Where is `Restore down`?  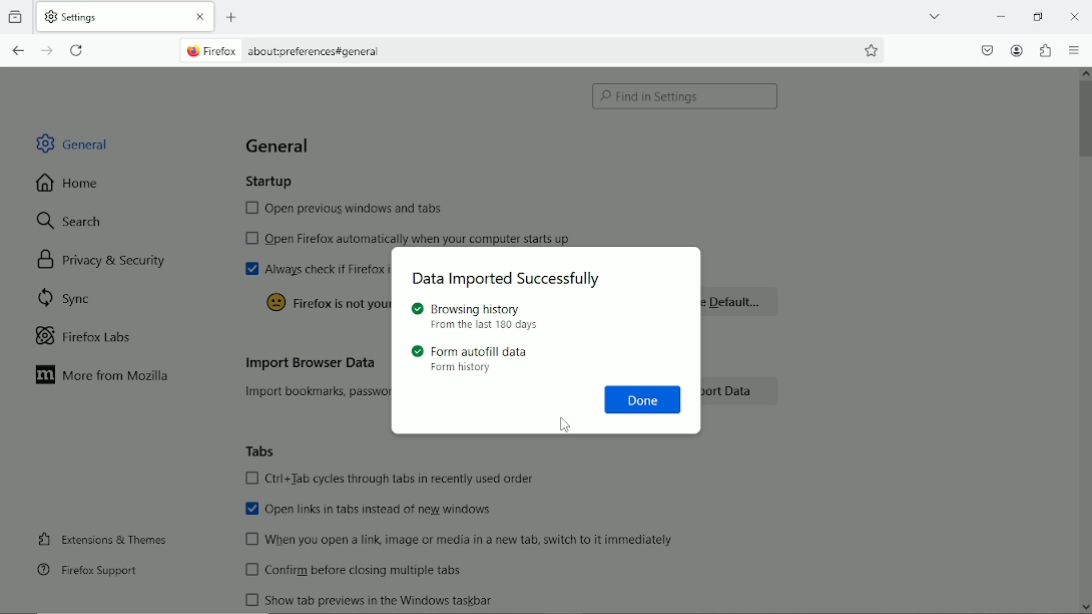 Restore down is located at coordinates (1038, 18).